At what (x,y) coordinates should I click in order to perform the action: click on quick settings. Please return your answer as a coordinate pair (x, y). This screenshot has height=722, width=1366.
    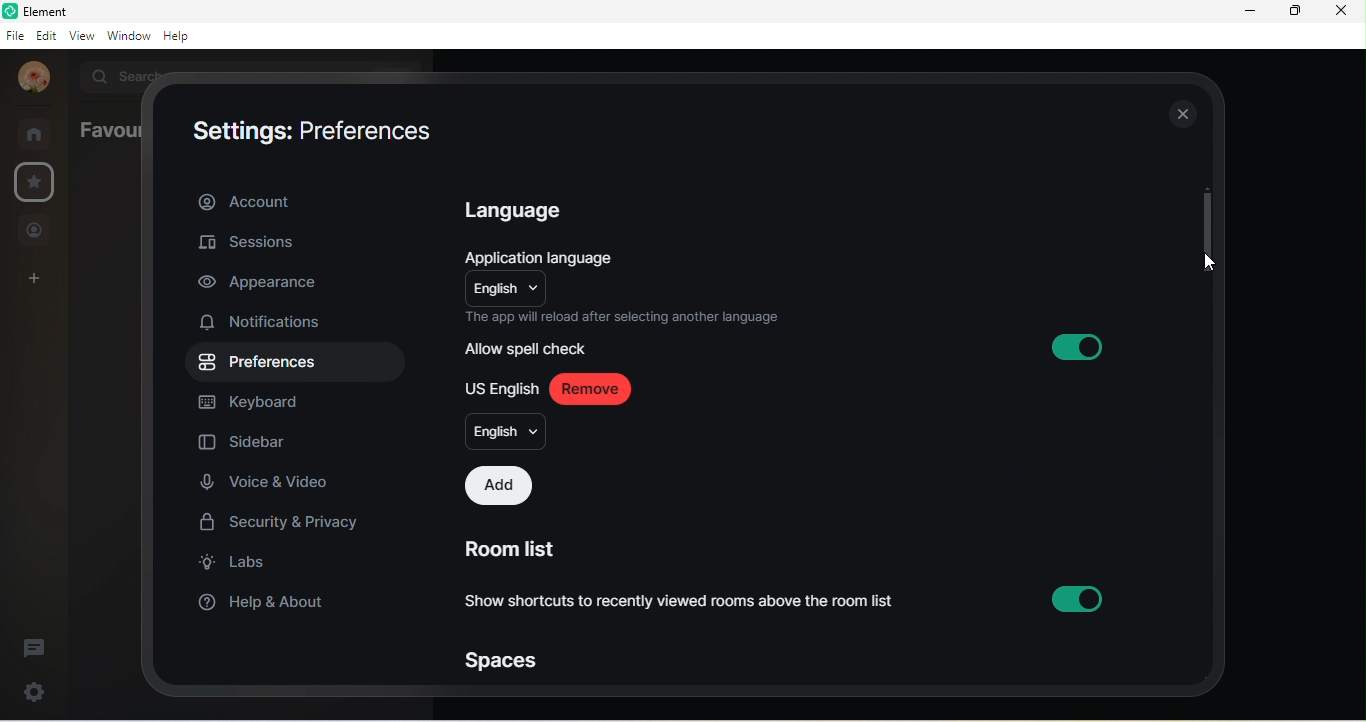
    Looking at the image, I should click on (27, 692).